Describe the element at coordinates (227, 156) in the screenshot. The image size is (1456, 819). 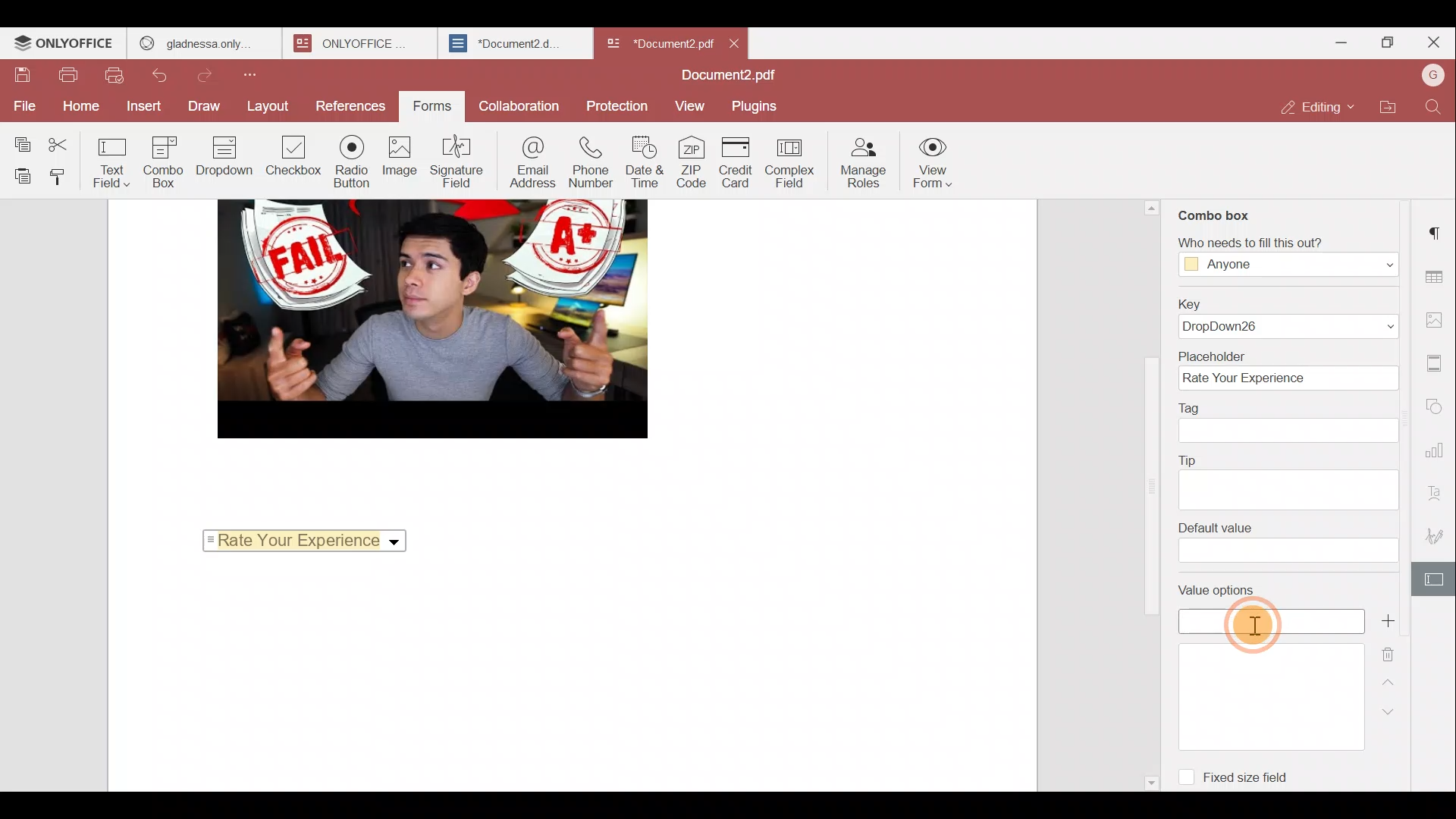
I see `Dropdown` at that location.